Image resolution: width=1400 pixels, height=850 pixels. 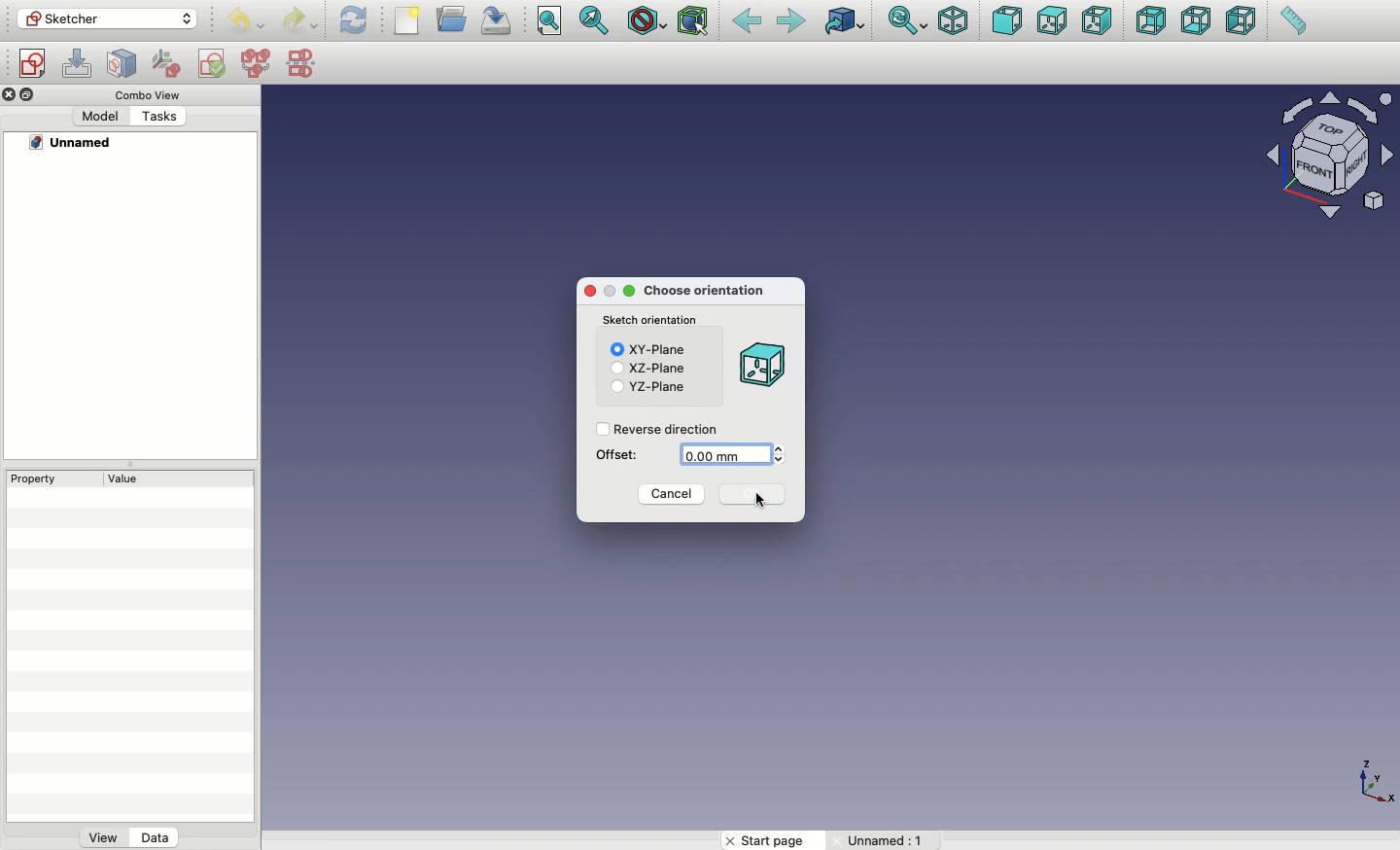 What do you see at coordinates (1006, 20) in the screenshot?
I see `Front` at bounding box center [1006, 20].